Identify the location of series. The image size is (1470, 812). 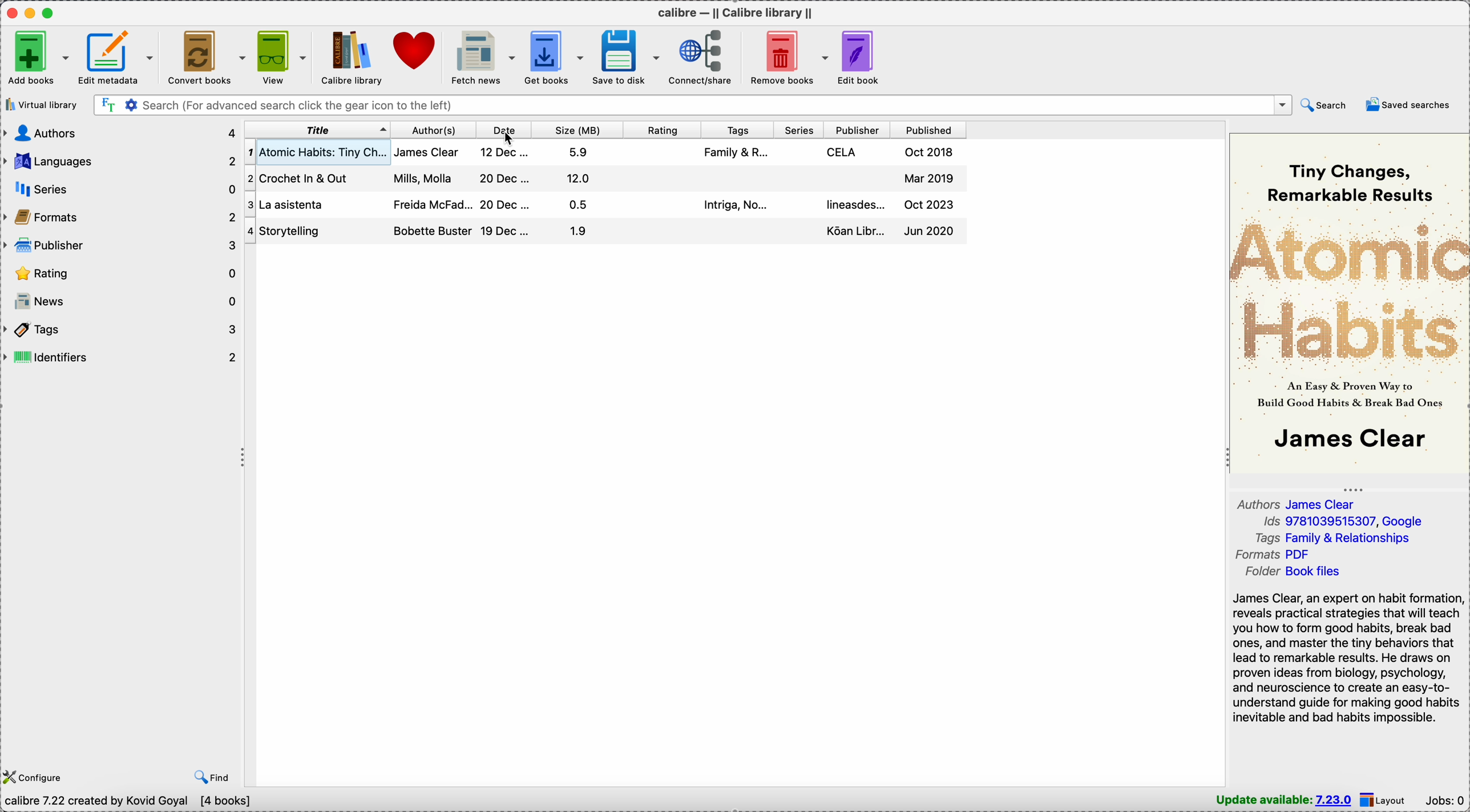
(122, 190).